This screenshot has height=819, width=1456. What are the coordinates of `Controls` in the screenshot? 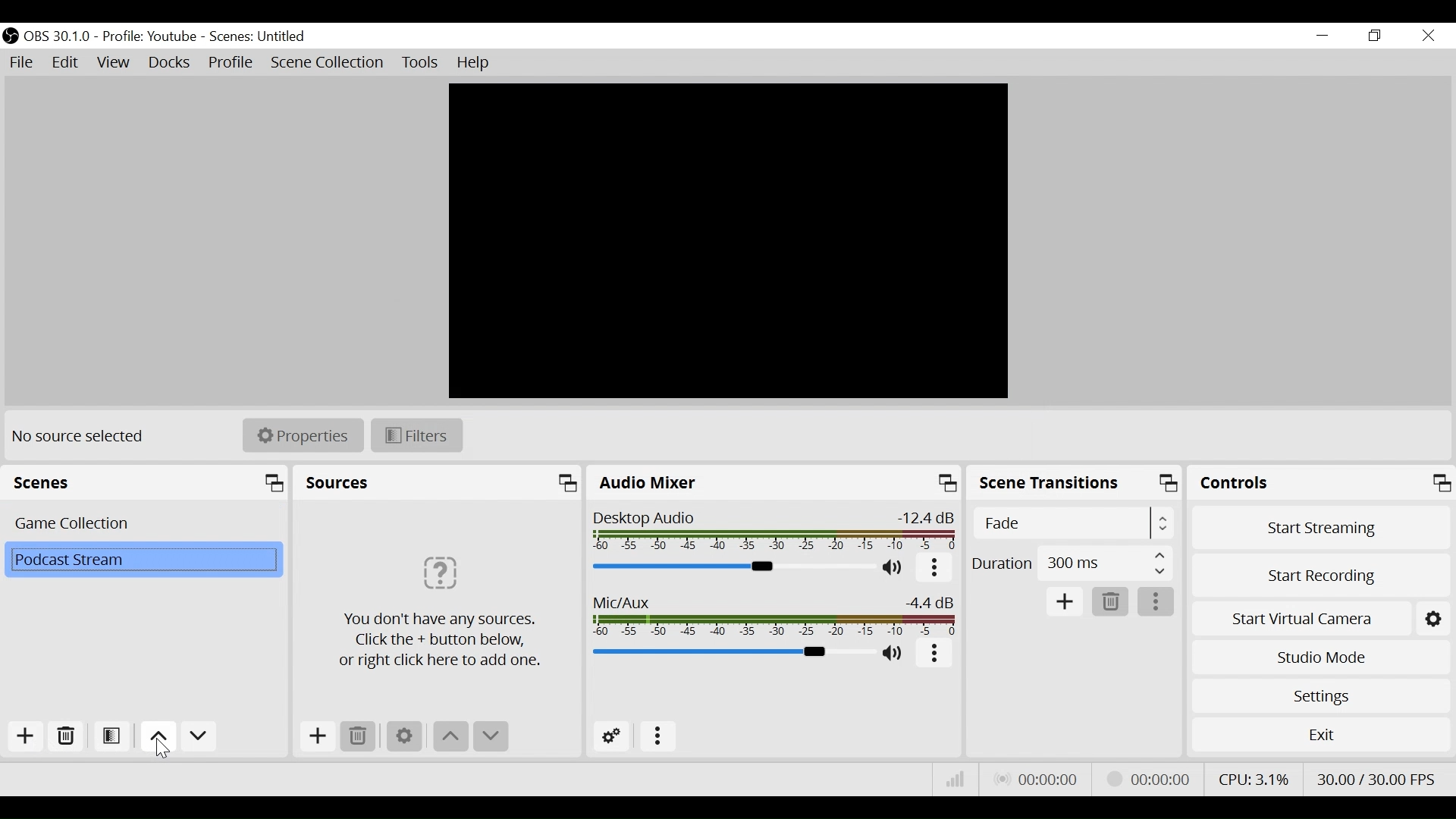 It's located at (1322, 482).